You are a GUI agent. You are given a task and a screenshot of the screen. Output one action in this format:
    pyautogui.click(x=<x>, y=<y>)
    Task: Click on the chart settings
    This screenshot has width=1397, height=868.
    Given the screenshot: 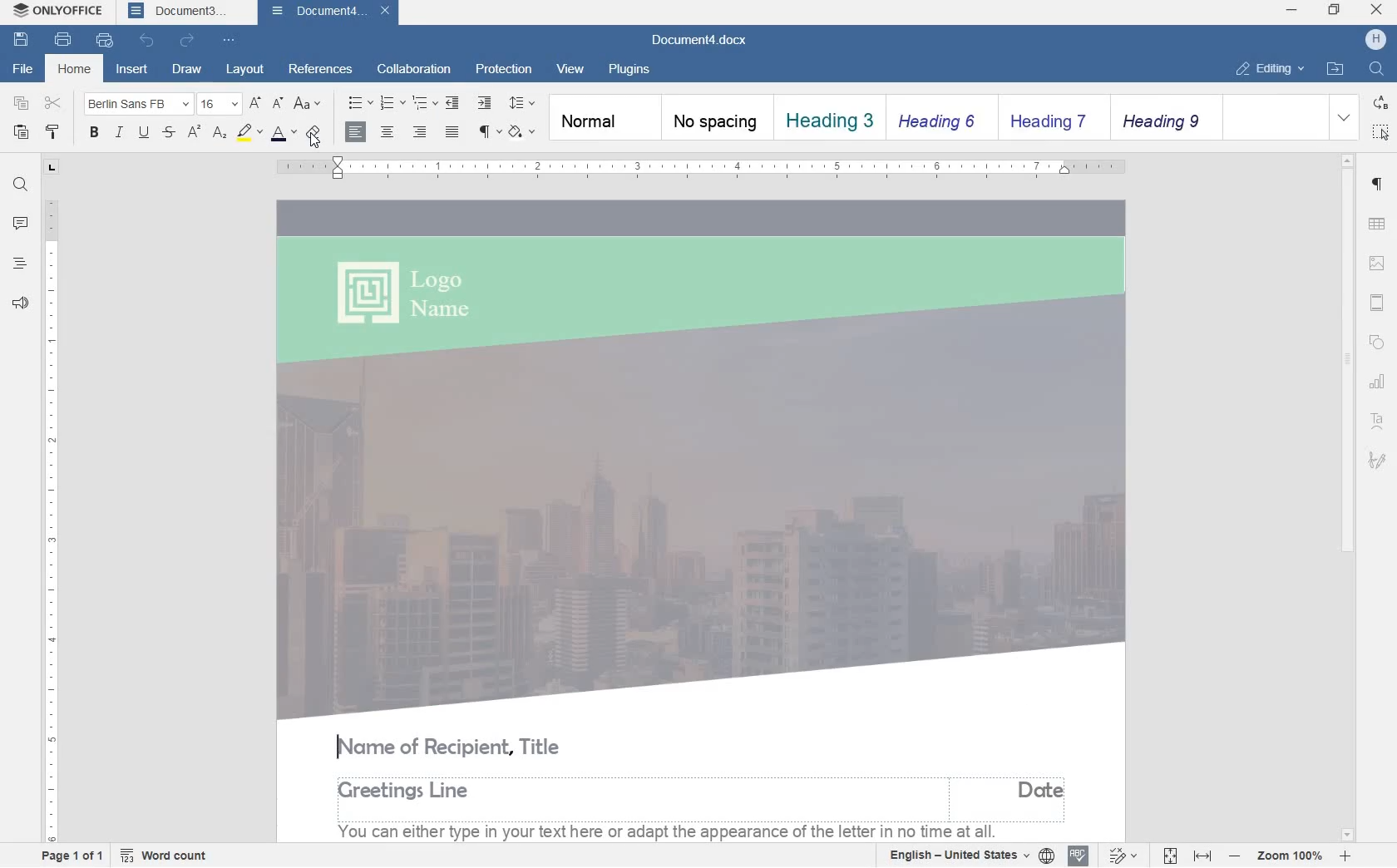 What is the action you would take?
    pyautogui.click(x=1377, y=382)
    